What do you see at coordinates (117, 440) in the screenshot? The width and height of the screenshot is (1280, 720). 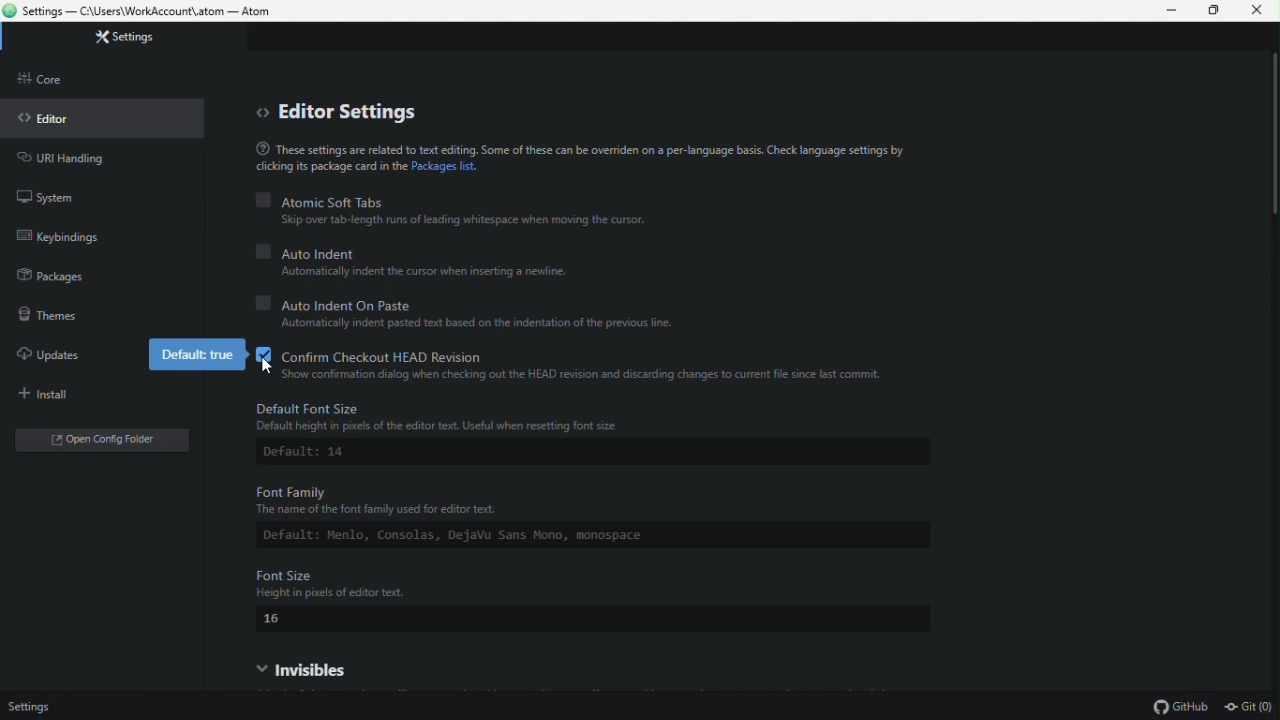 I see `Open folder` at bounding box center [117, 440].